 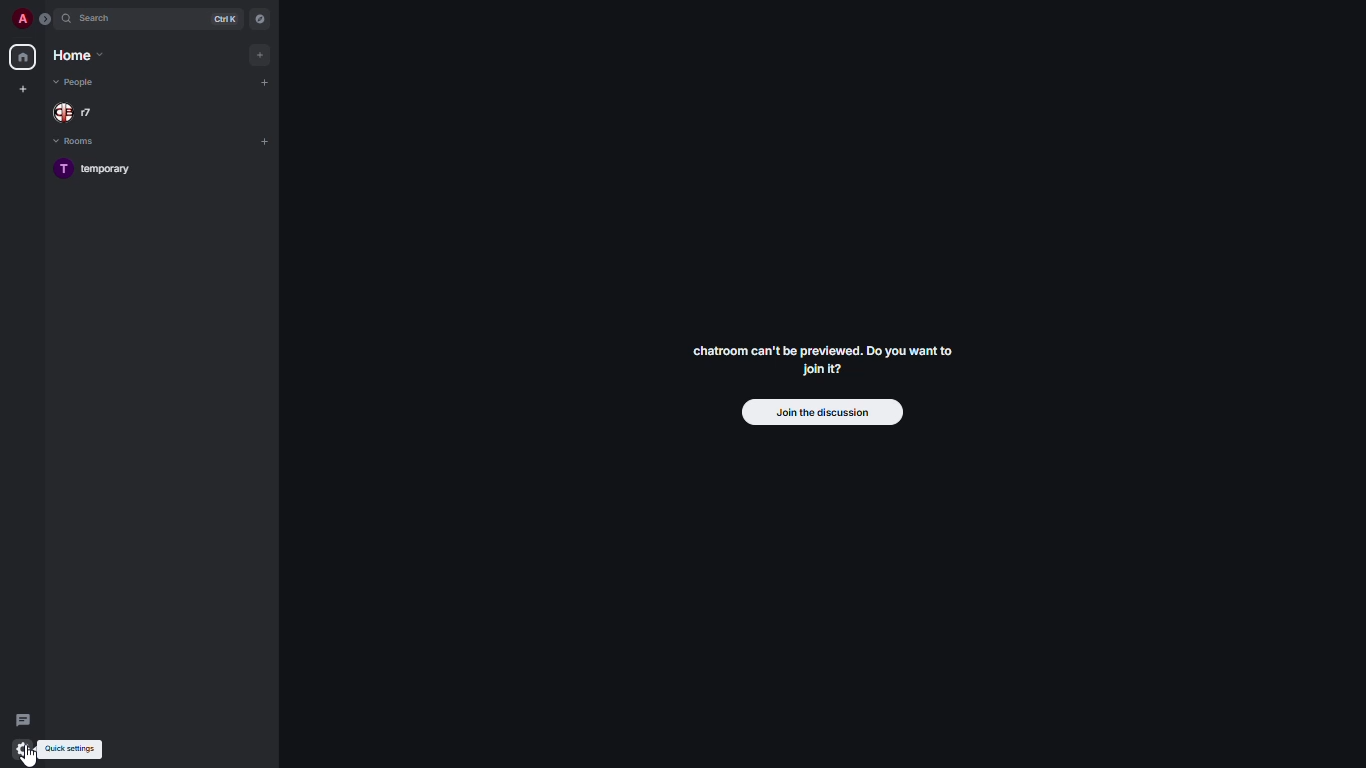 I want to click on add, so click(x=264, y=141).